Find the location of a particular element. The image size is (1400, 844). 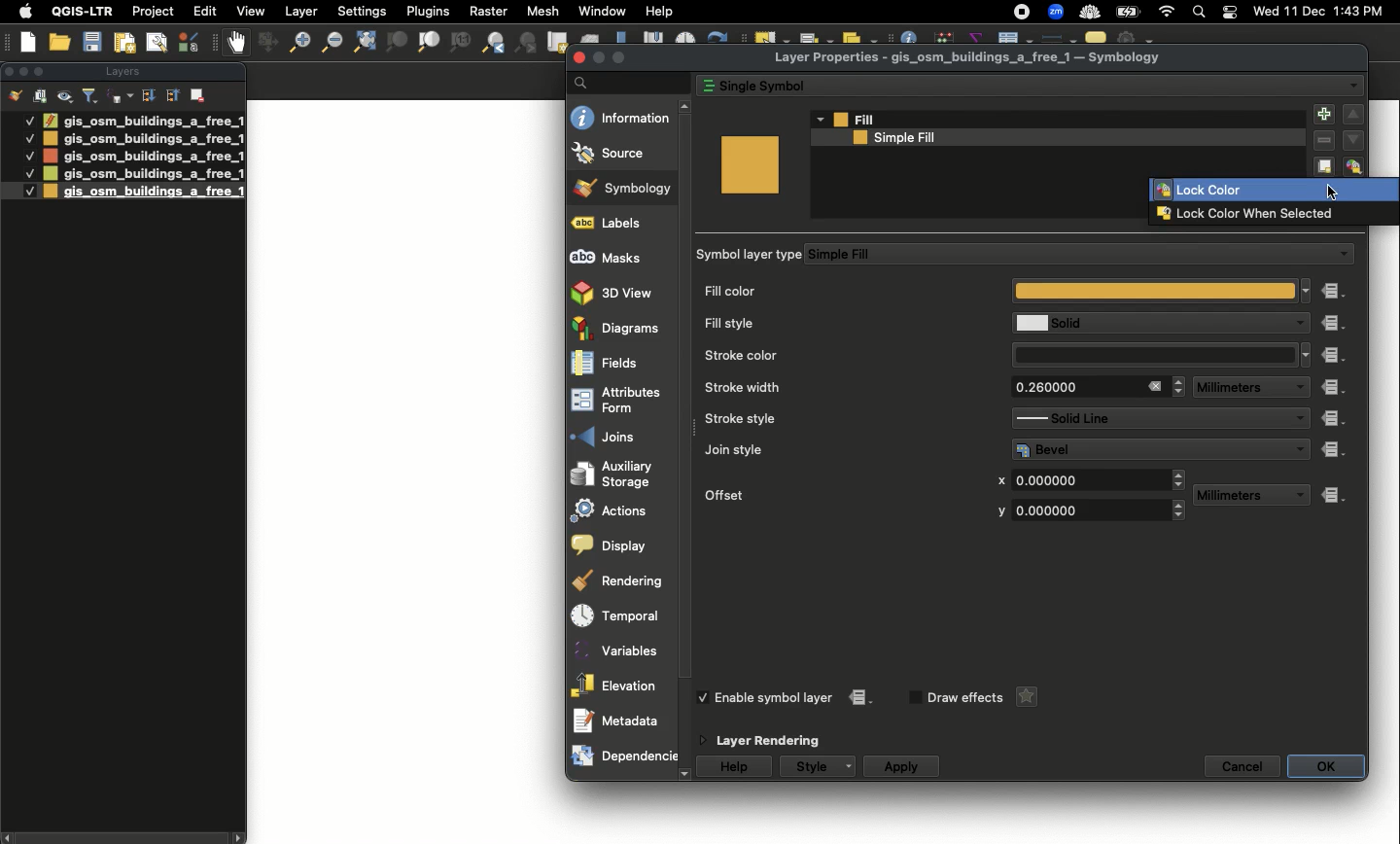

Color is located at coordinates (750, 164).